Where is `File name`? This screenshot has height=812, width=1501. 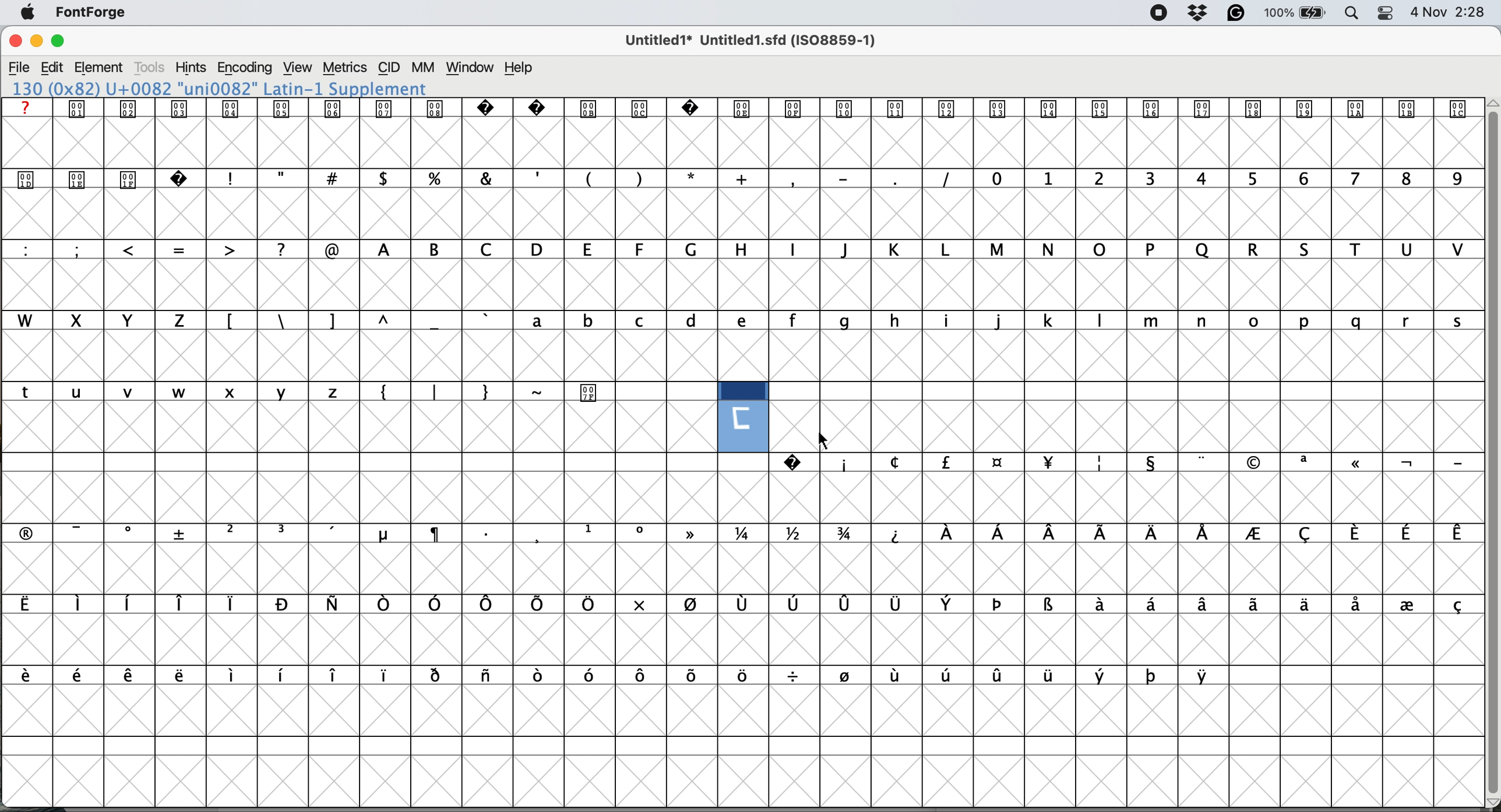 File name is located at coordinates (747, 40).